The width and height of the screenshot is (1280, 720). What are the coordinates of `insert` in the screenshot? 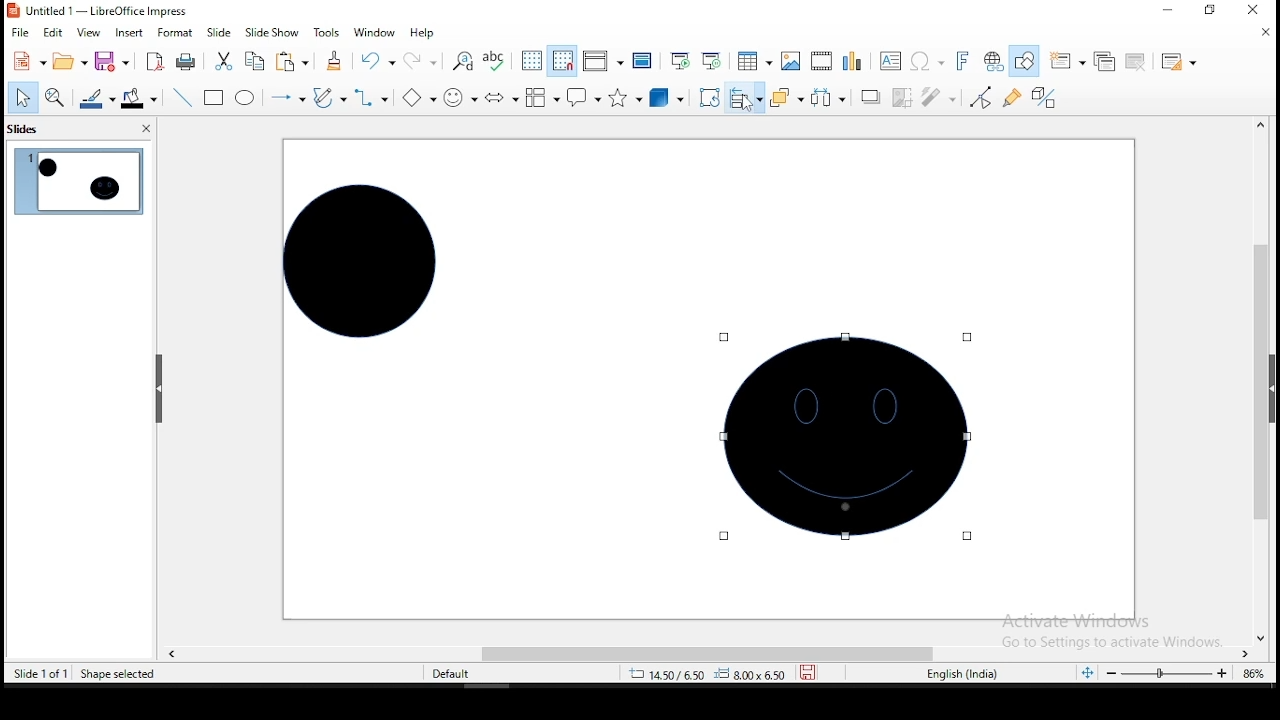 It's located at (129, 33).